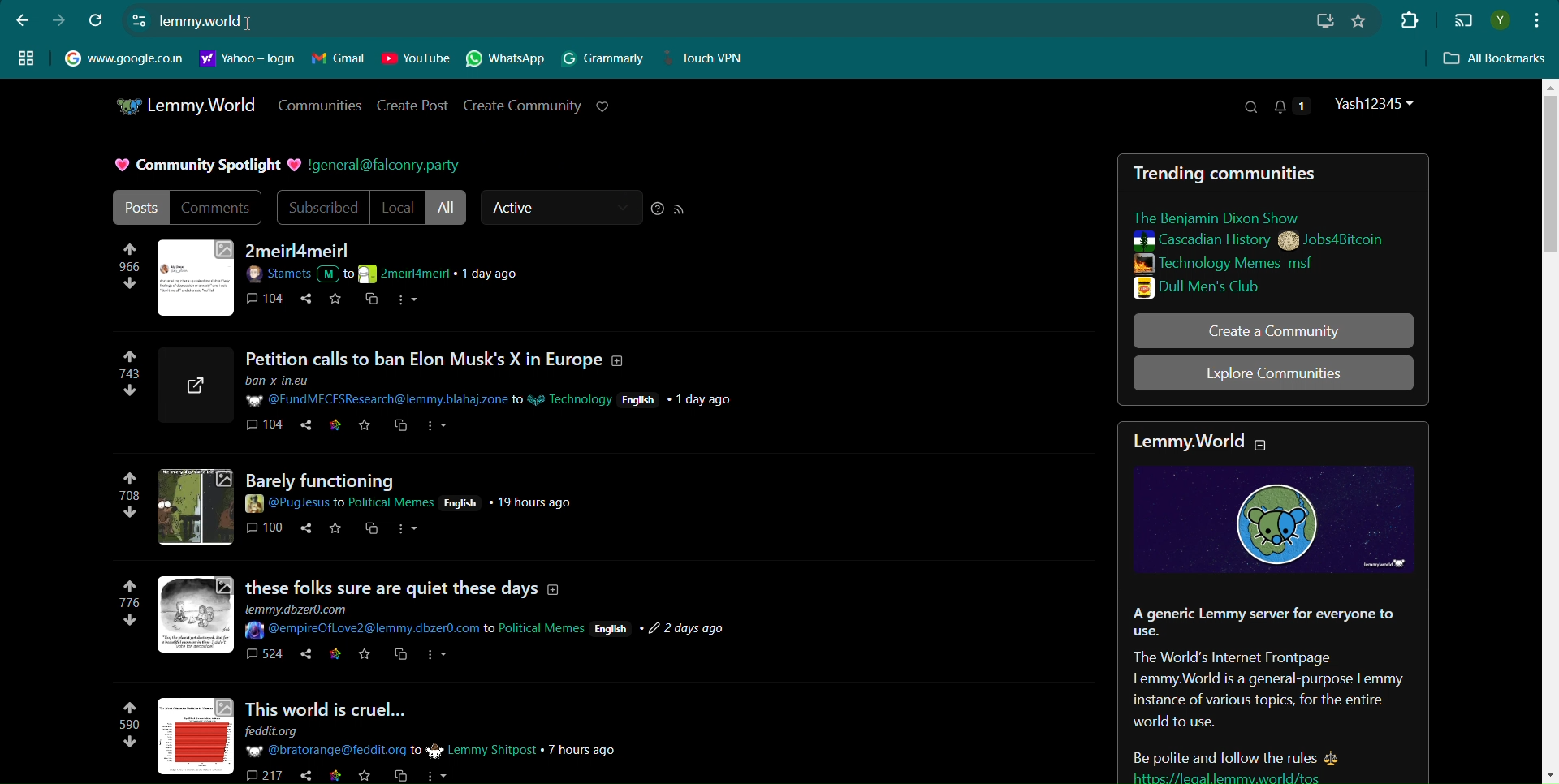  What do you see at coordinates (438, 426) in the screenshot?
I see `more` at bounding box center [438, 426].